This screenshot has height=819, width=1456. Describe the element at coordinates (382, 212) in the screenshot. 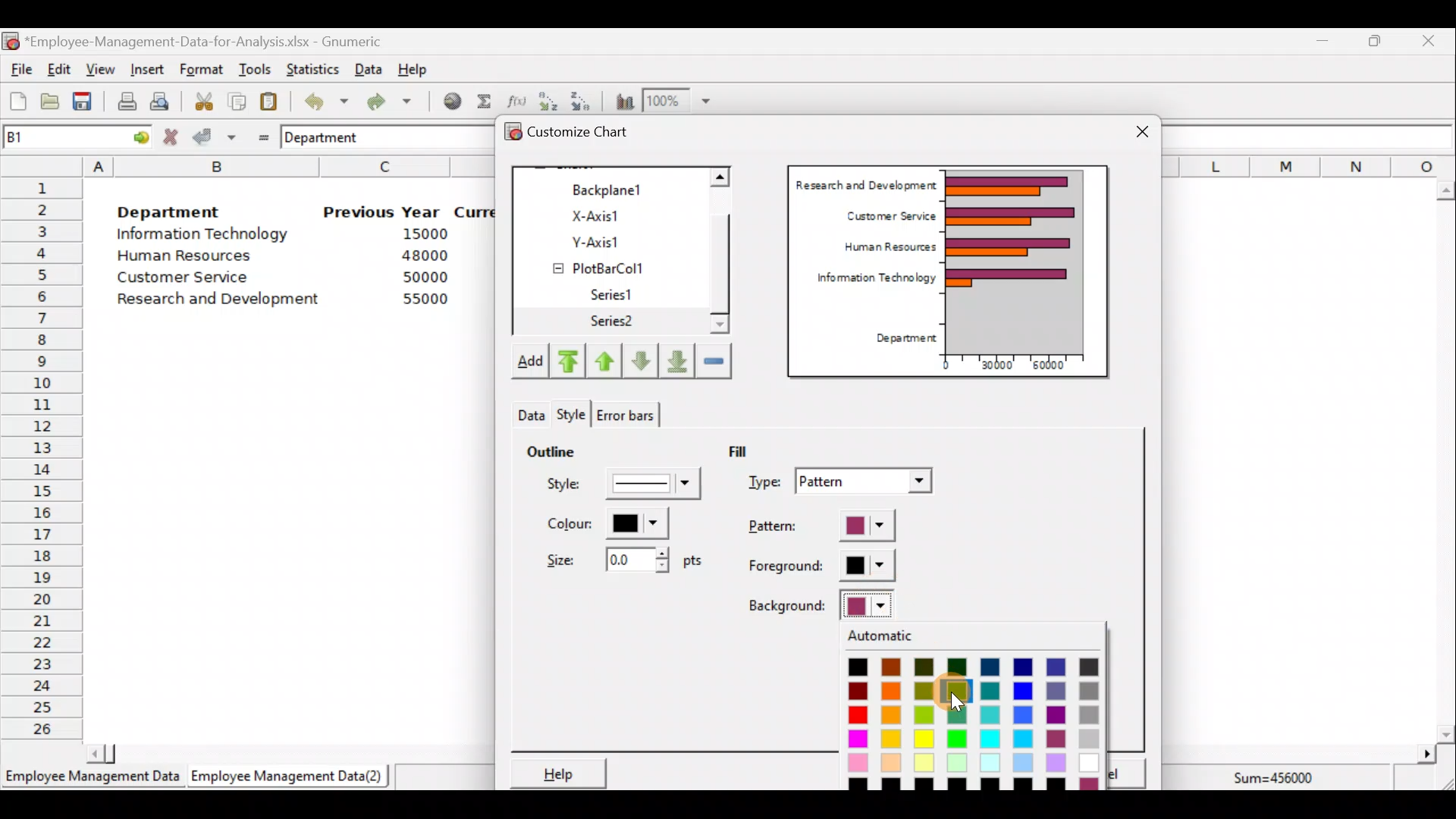

I see `Previous Year` at that location.